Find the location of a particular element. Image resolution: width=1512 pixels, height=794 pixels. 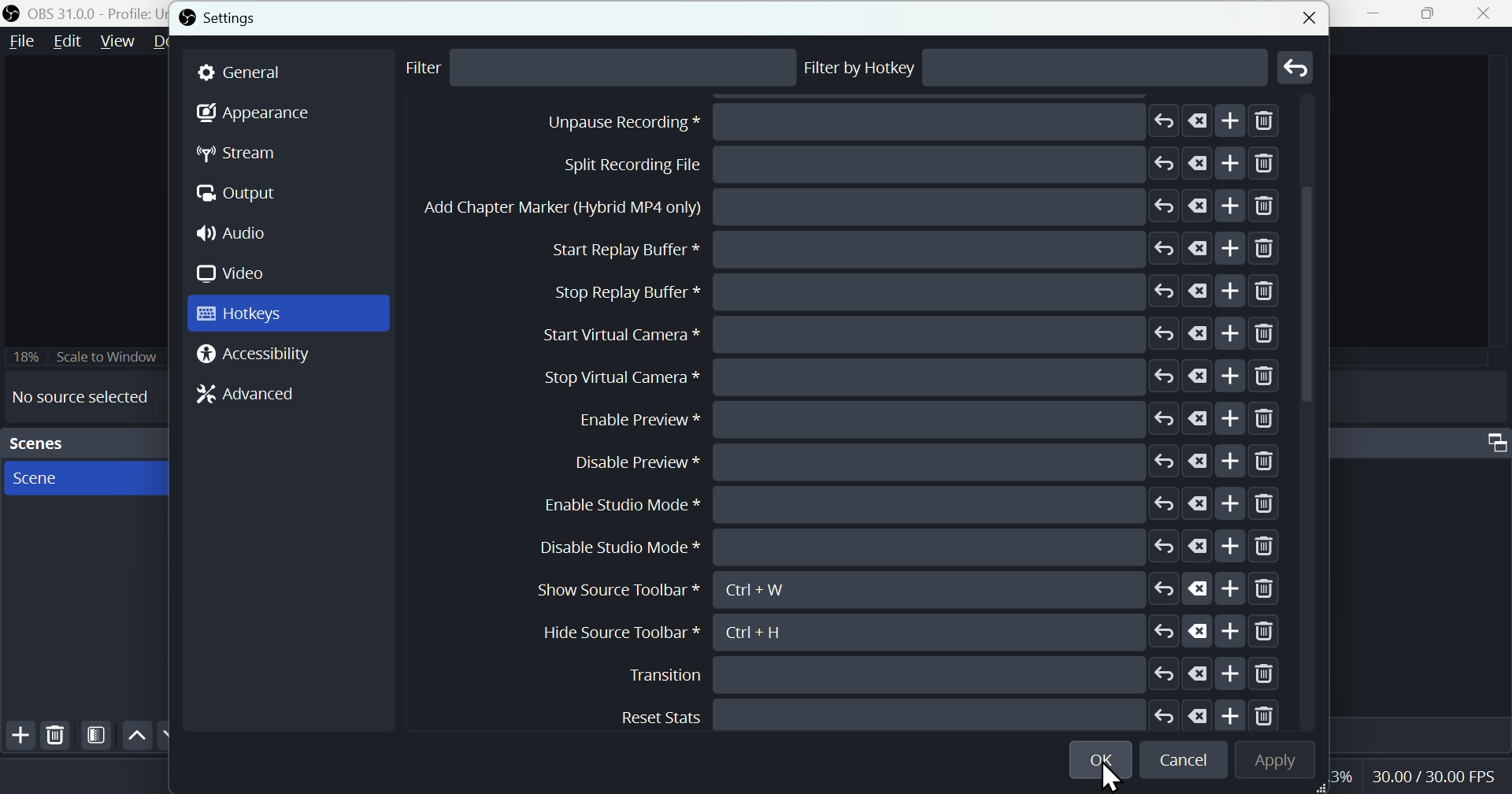

Stop streaming is located at coordinates (873, 123).